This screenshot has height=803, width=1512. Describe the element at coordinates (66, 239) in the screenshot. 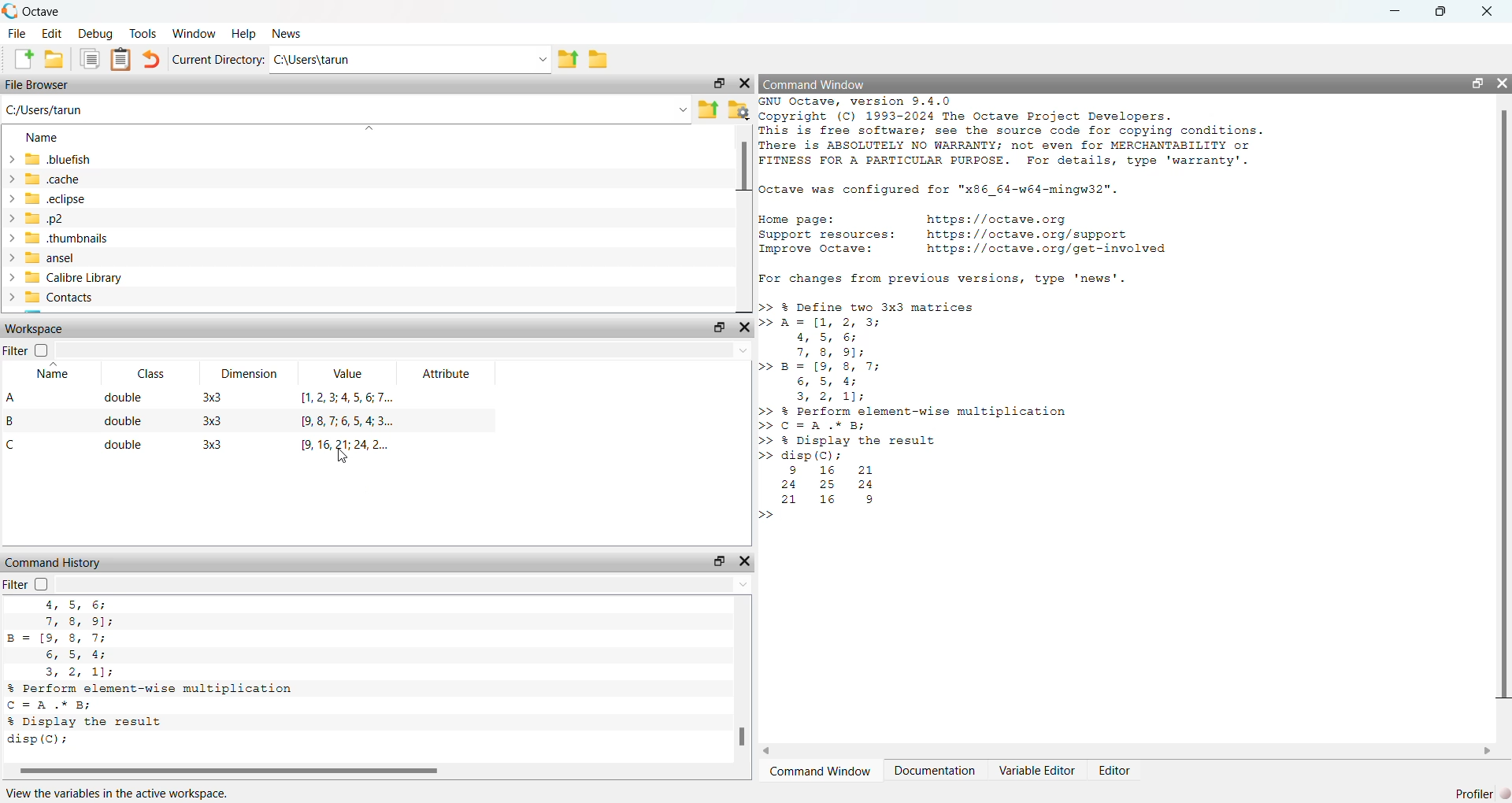

I see `thumbnails` at that location.